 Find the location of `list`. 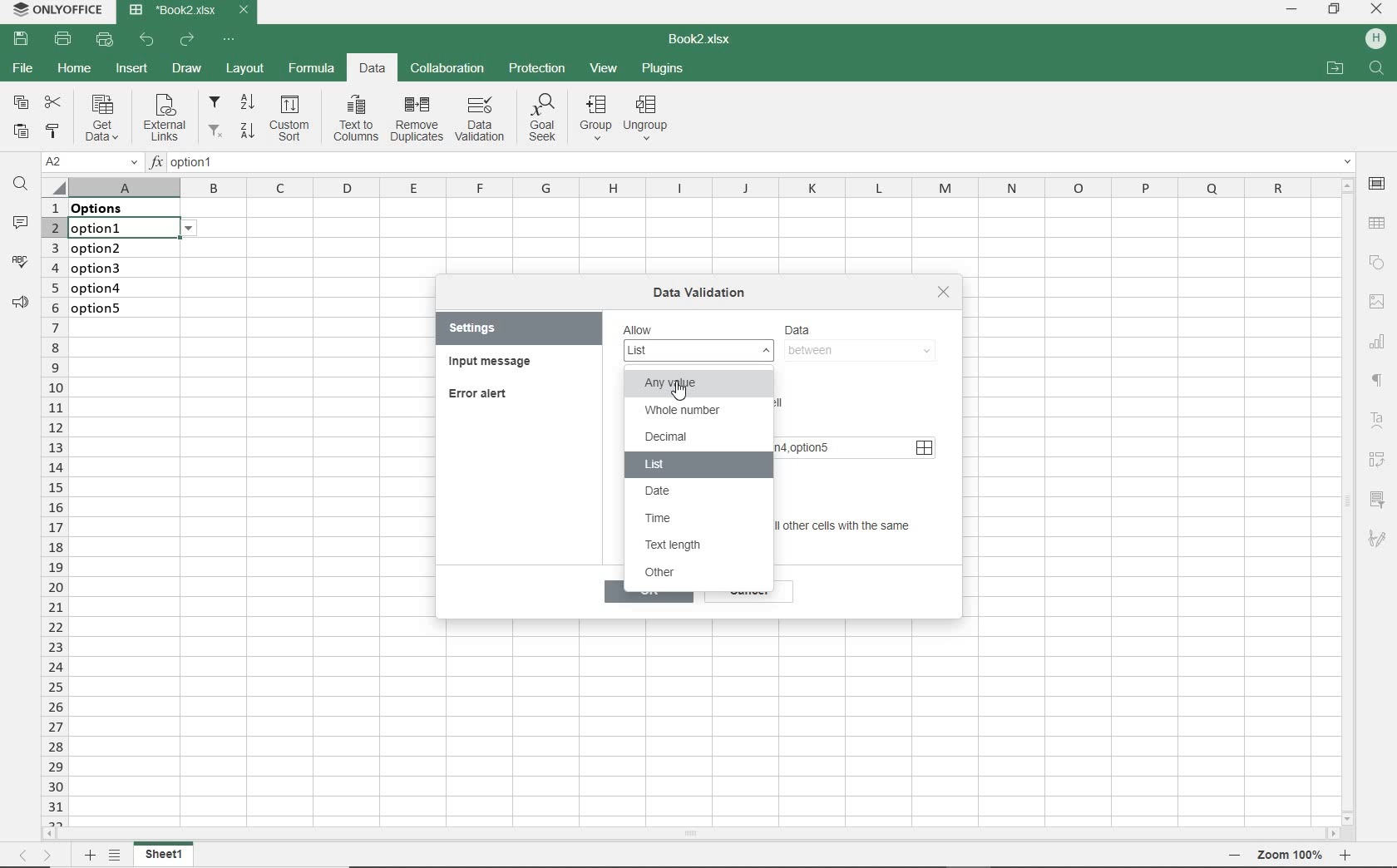

list is located at coordinates (700, 350).